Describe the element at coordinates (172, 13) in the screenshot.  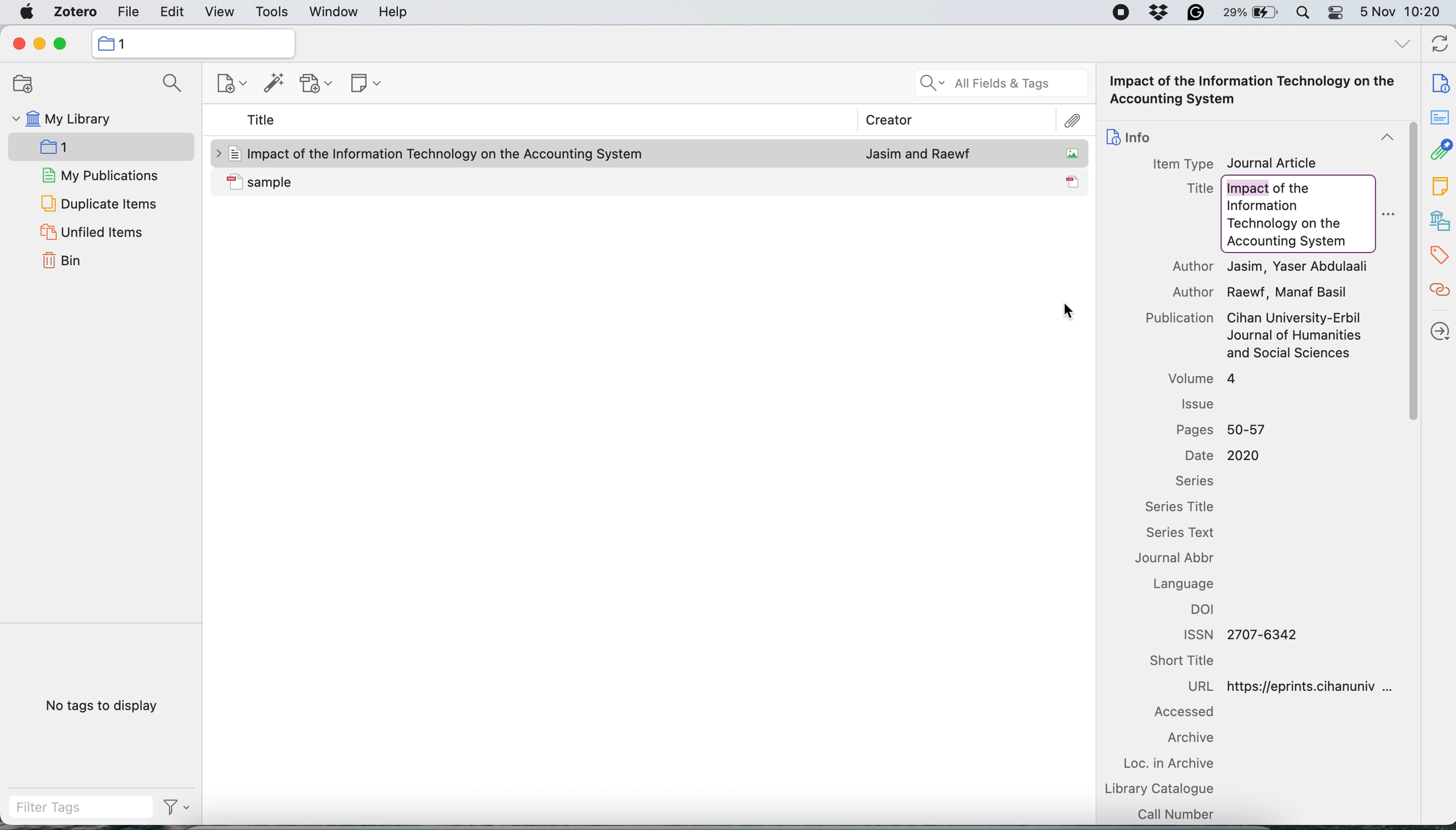
I see `edit` at that location.